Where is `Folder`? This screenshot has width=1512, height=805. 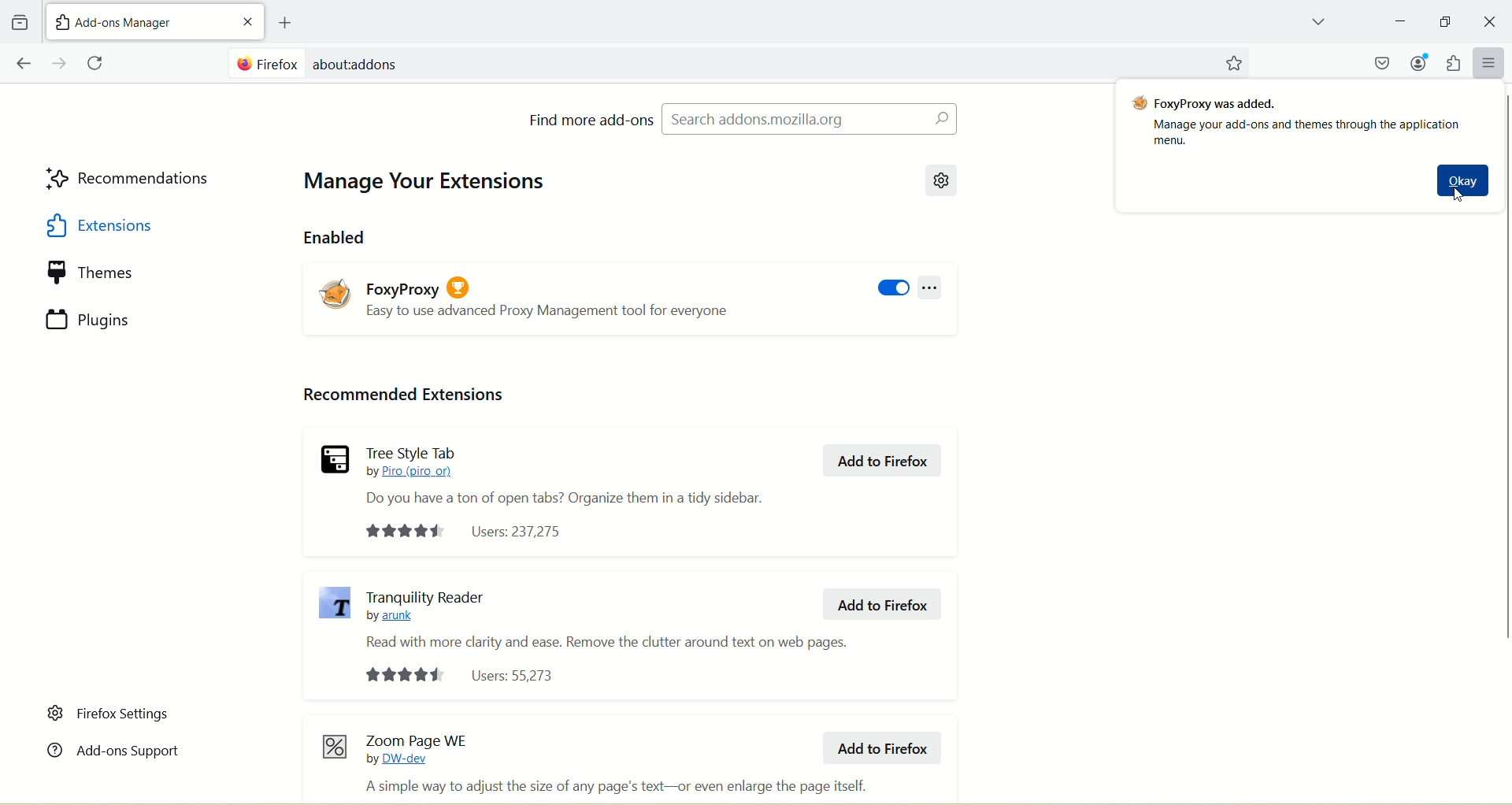
Folder is located at coordinates (19, 23).